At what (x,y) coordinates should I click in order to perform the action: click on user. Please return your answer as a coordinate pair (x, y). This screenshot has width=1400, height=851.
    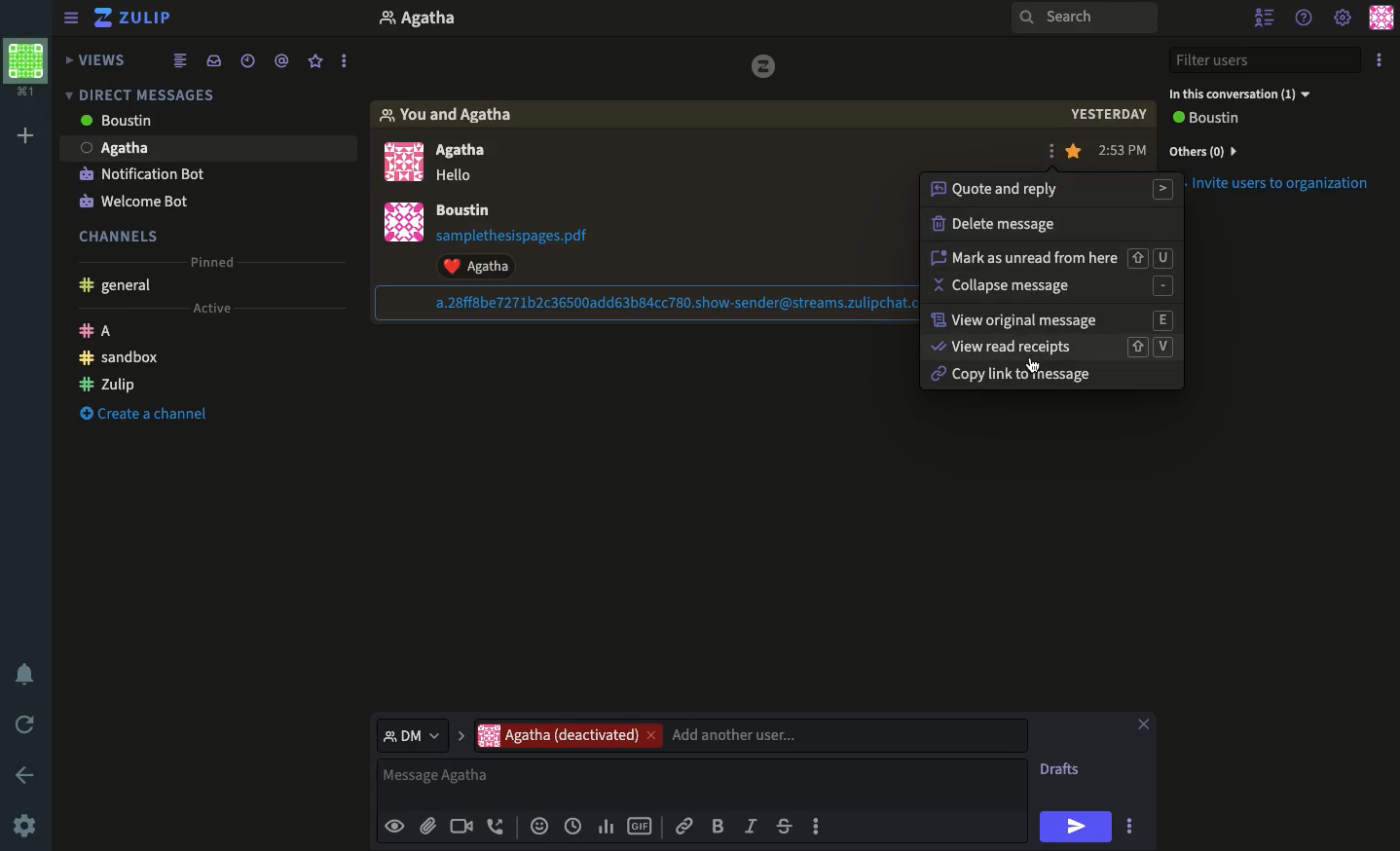
    Looking at the image, I should click on (465, 210).